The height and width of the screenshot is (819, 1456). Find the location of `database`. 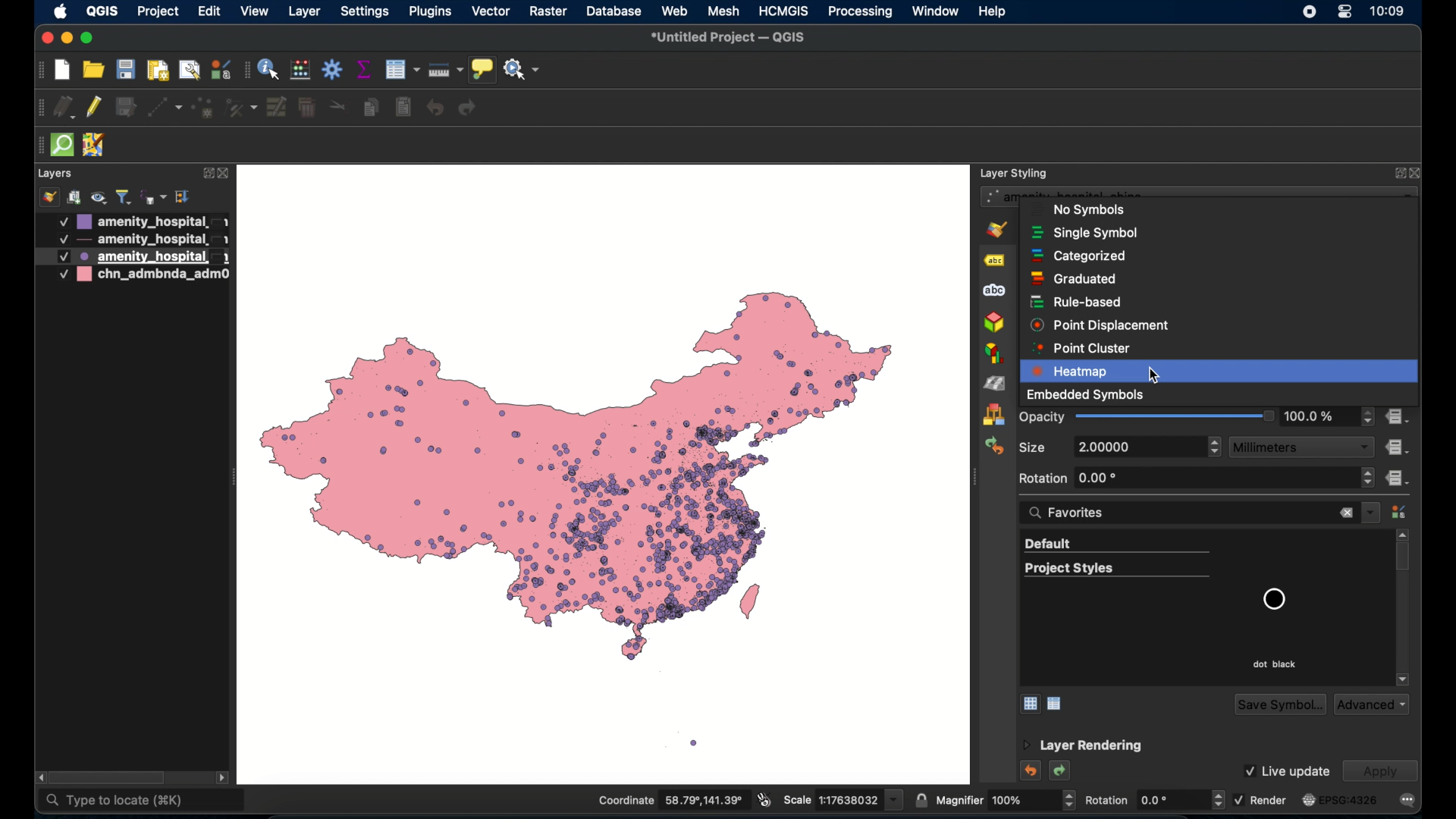

database is located at coordinates (614, 11).